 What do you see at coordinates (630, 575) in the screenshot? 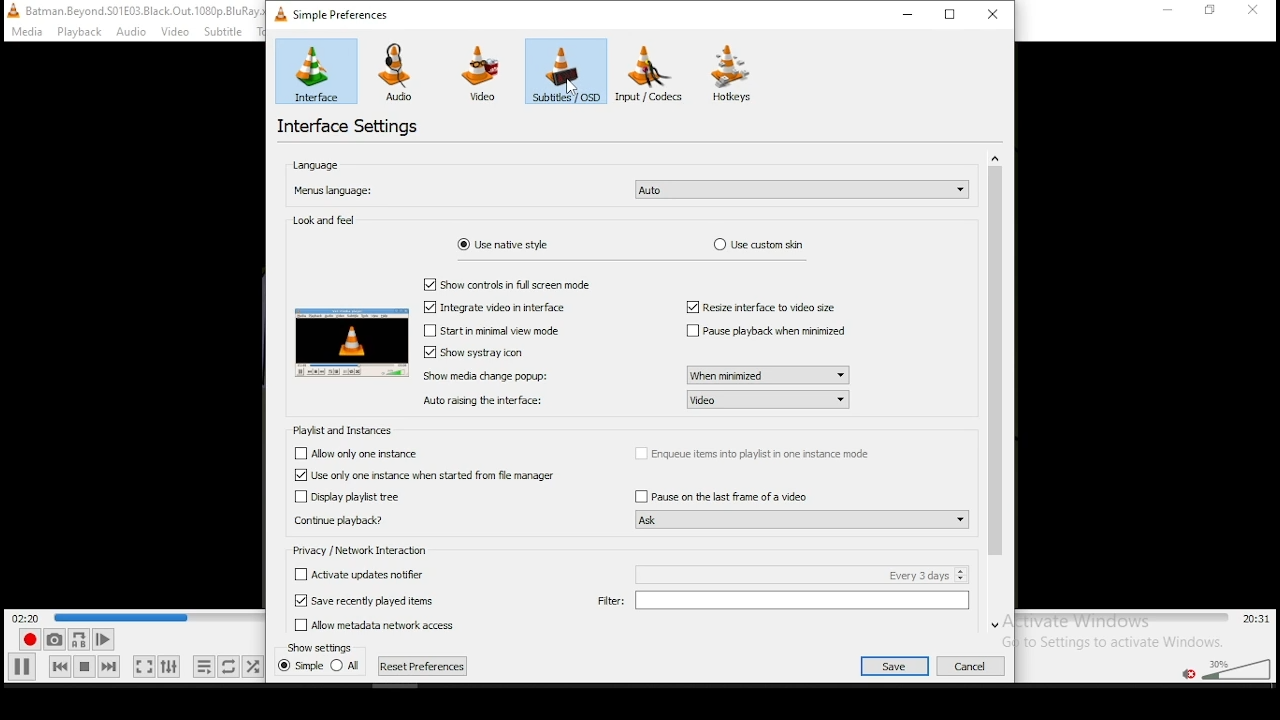
I see `checkbox: activate updates notifier every 3 days` at bounding box center [630, 575].